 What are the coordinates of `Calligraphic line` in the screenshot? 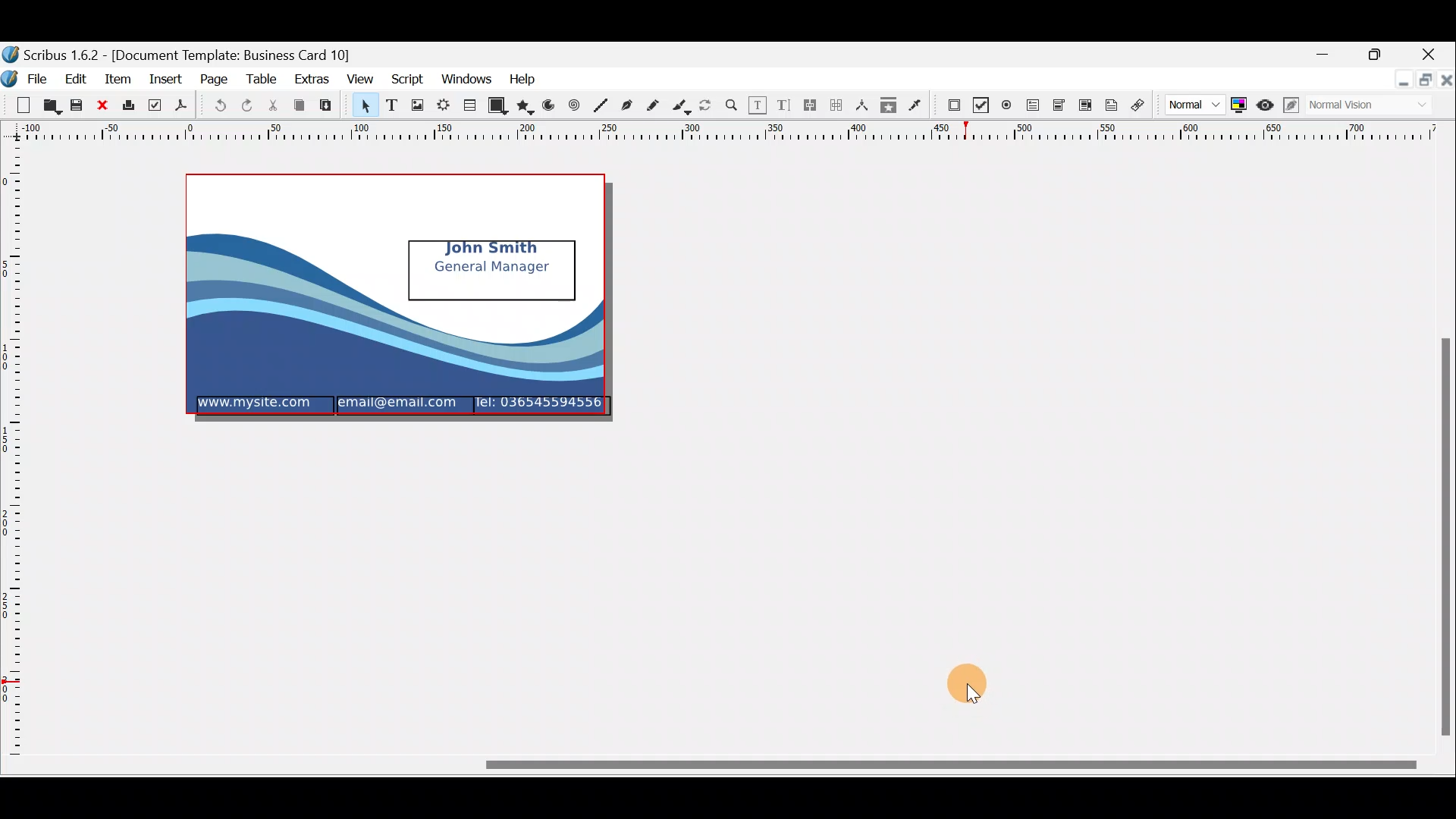 It's located at (683, 107).